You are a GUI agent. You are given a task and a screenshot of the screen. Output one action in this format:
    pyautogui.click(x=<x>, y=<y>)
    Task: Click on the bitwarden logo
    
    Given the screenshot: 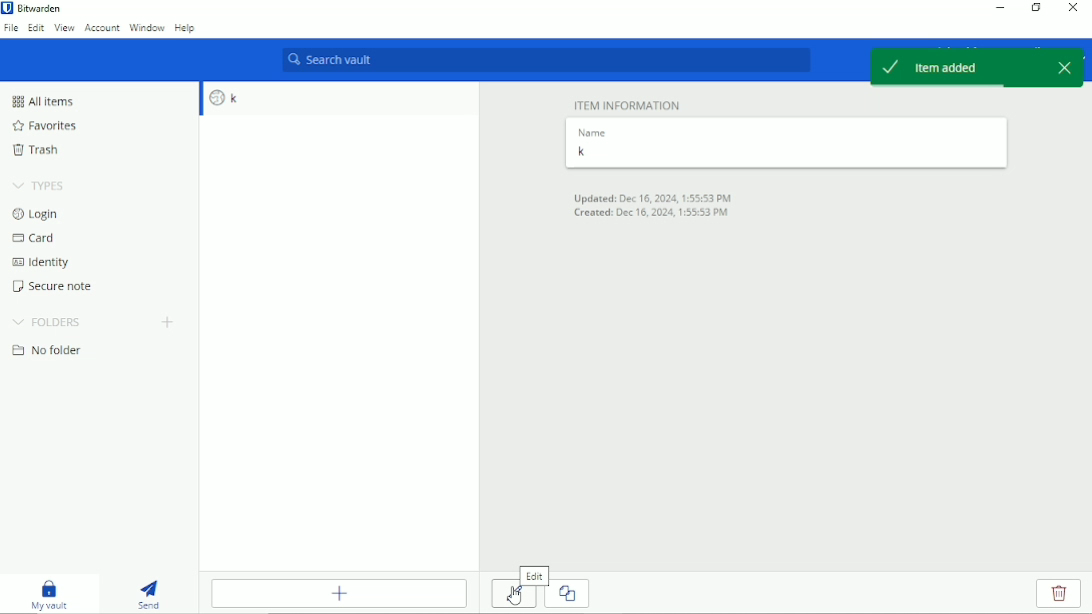 What is the action you would take?
    pyautogui.click(x=7, y=7)
    